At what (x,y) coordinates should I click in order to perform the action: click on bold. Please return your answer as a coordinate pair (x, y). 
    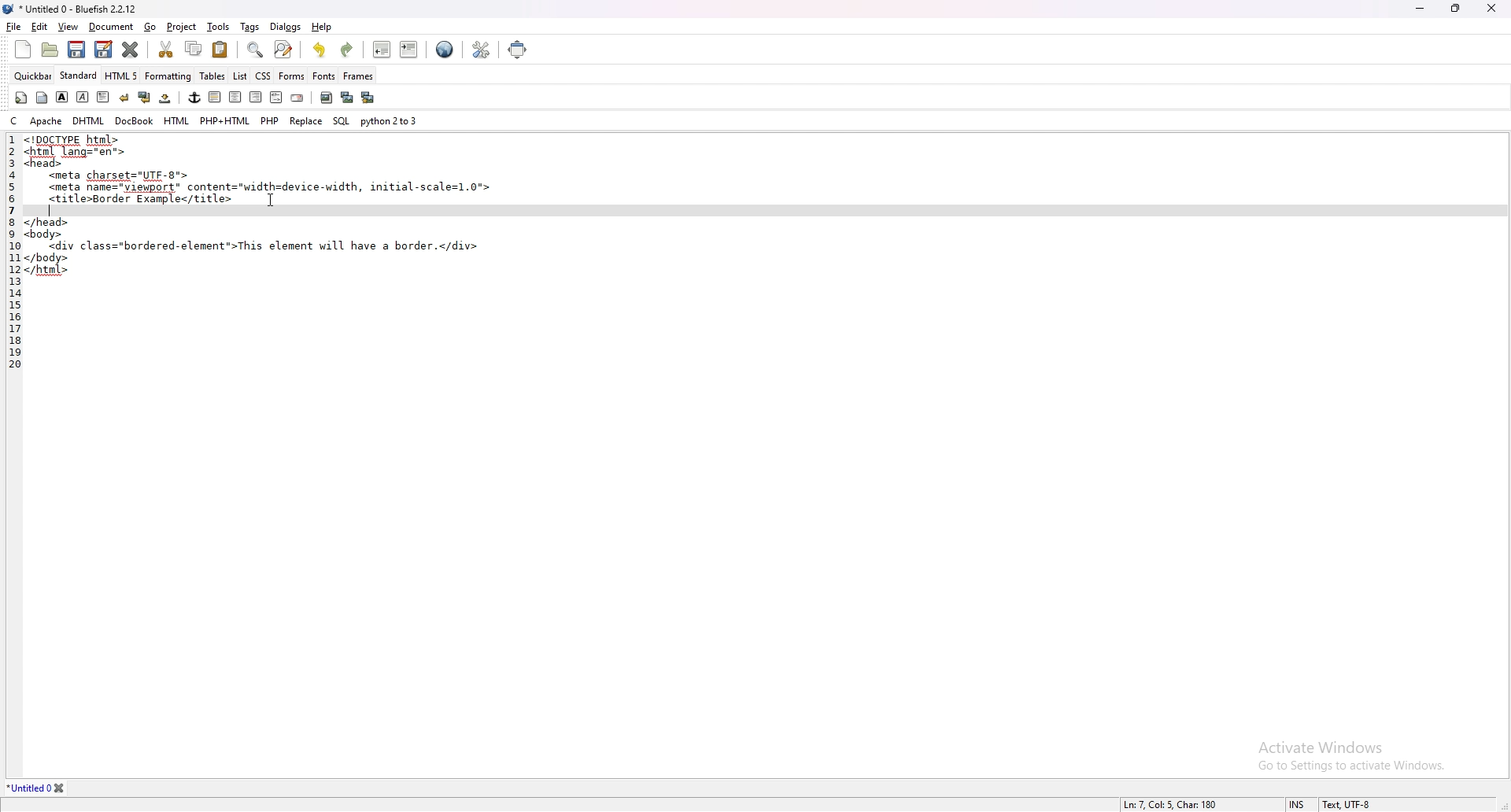
    Looking at the image, I should click on (61, 98).